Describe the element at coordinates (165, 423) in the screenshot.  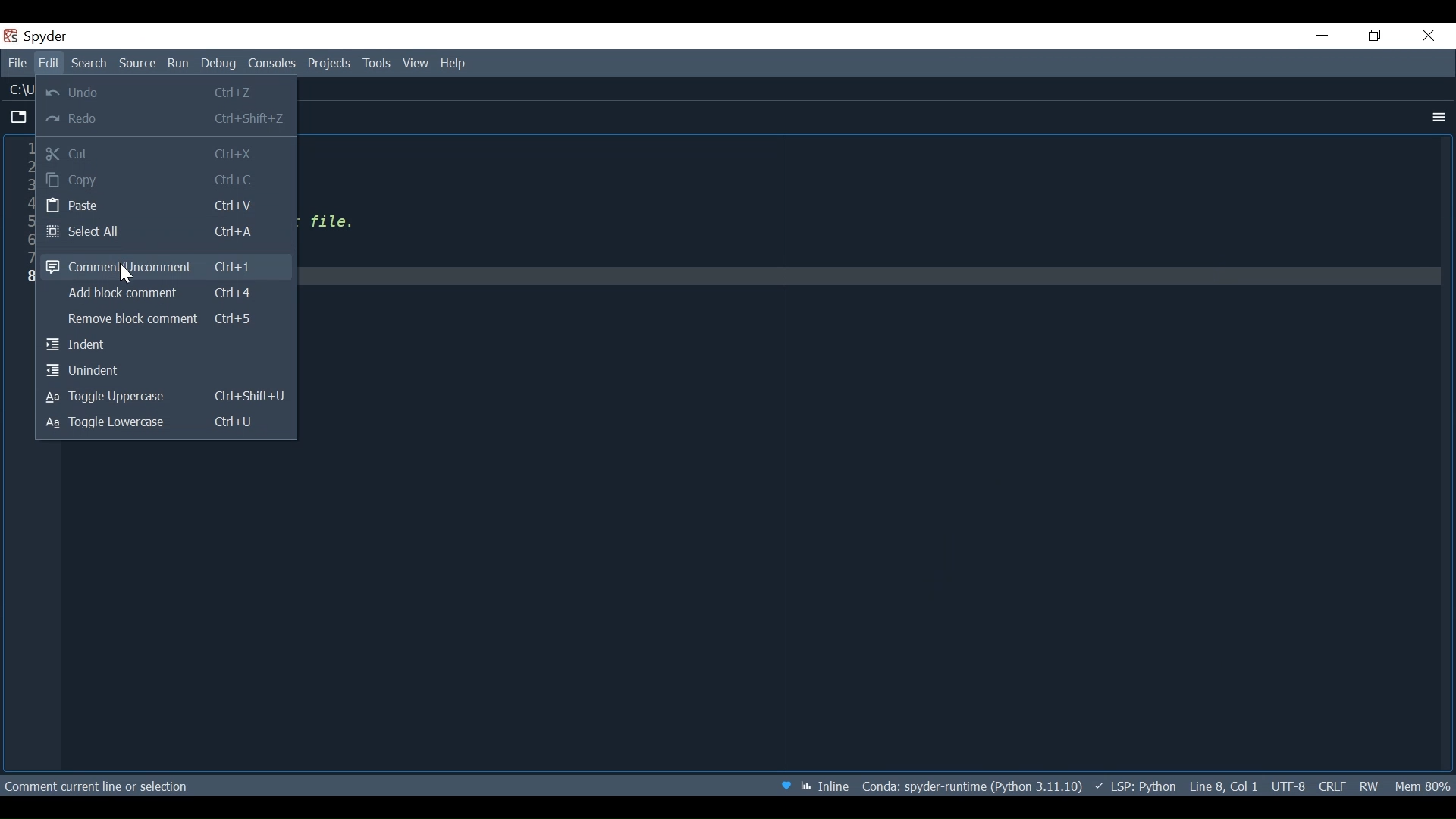
I see `Toggle lowercase` at that location.